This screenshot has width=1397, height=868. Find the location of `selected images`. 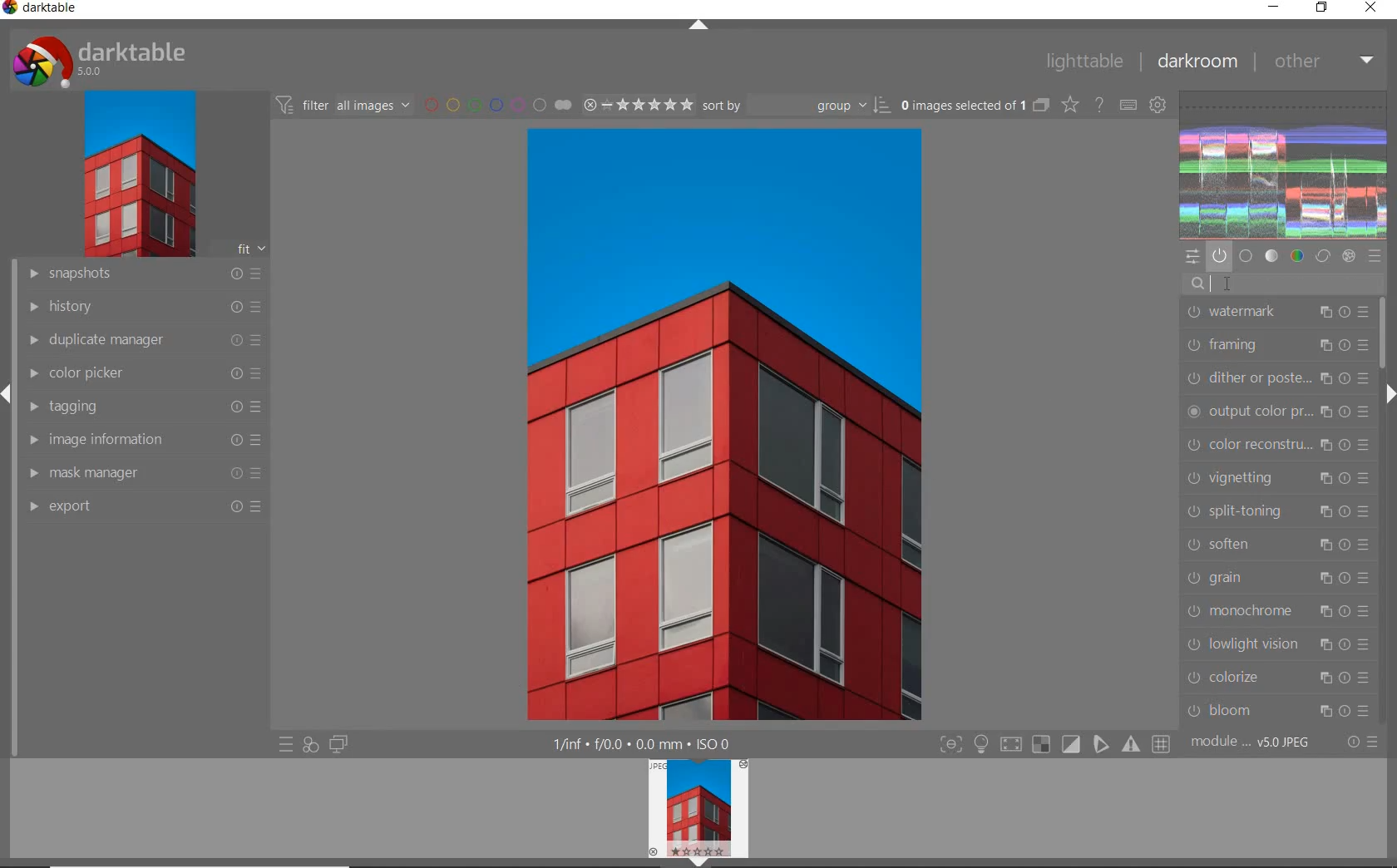

selected images is located at coordinates (960, 104).